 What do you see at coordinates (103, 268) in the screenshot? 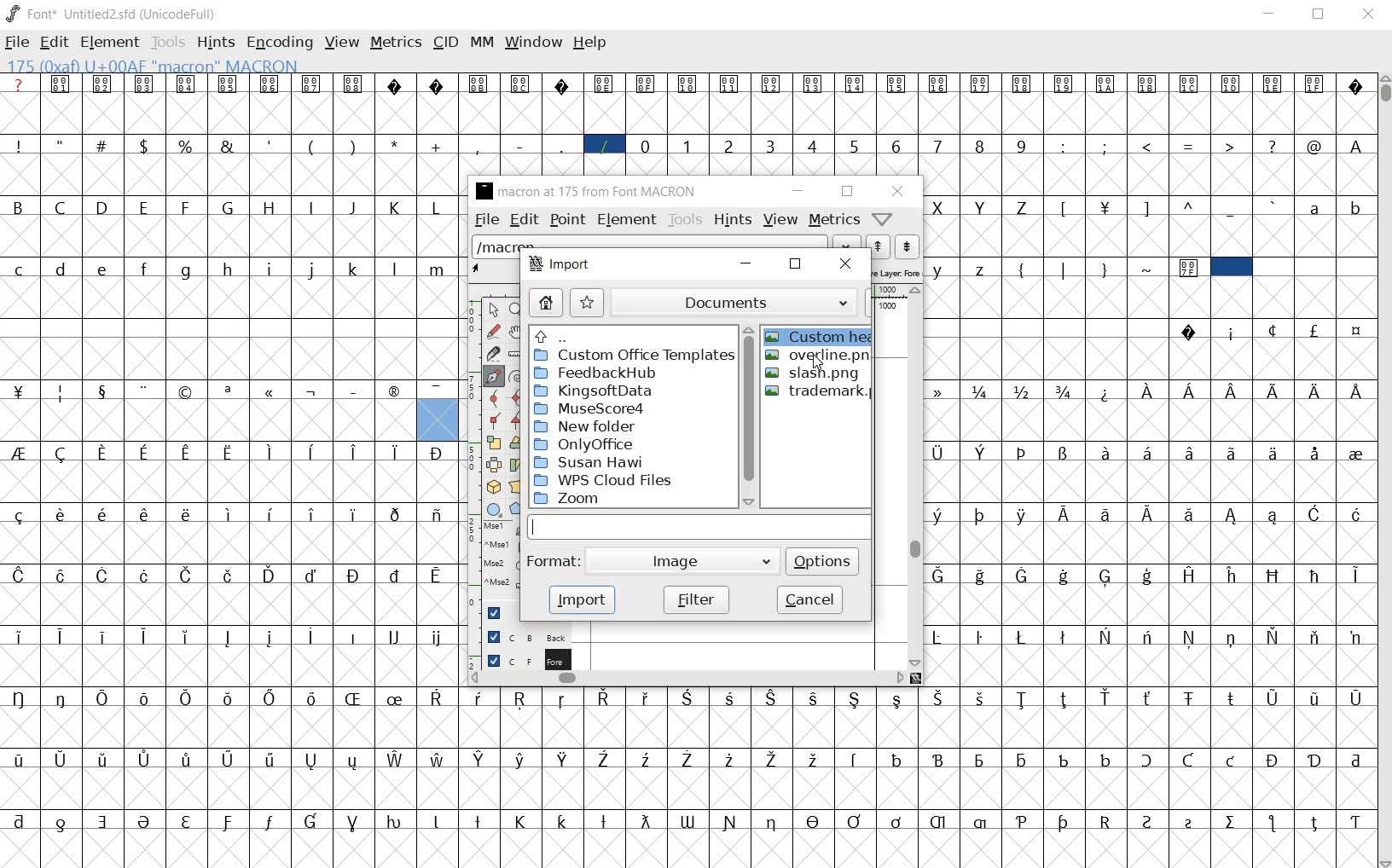
I see `e` at bounding box center [103, 268].